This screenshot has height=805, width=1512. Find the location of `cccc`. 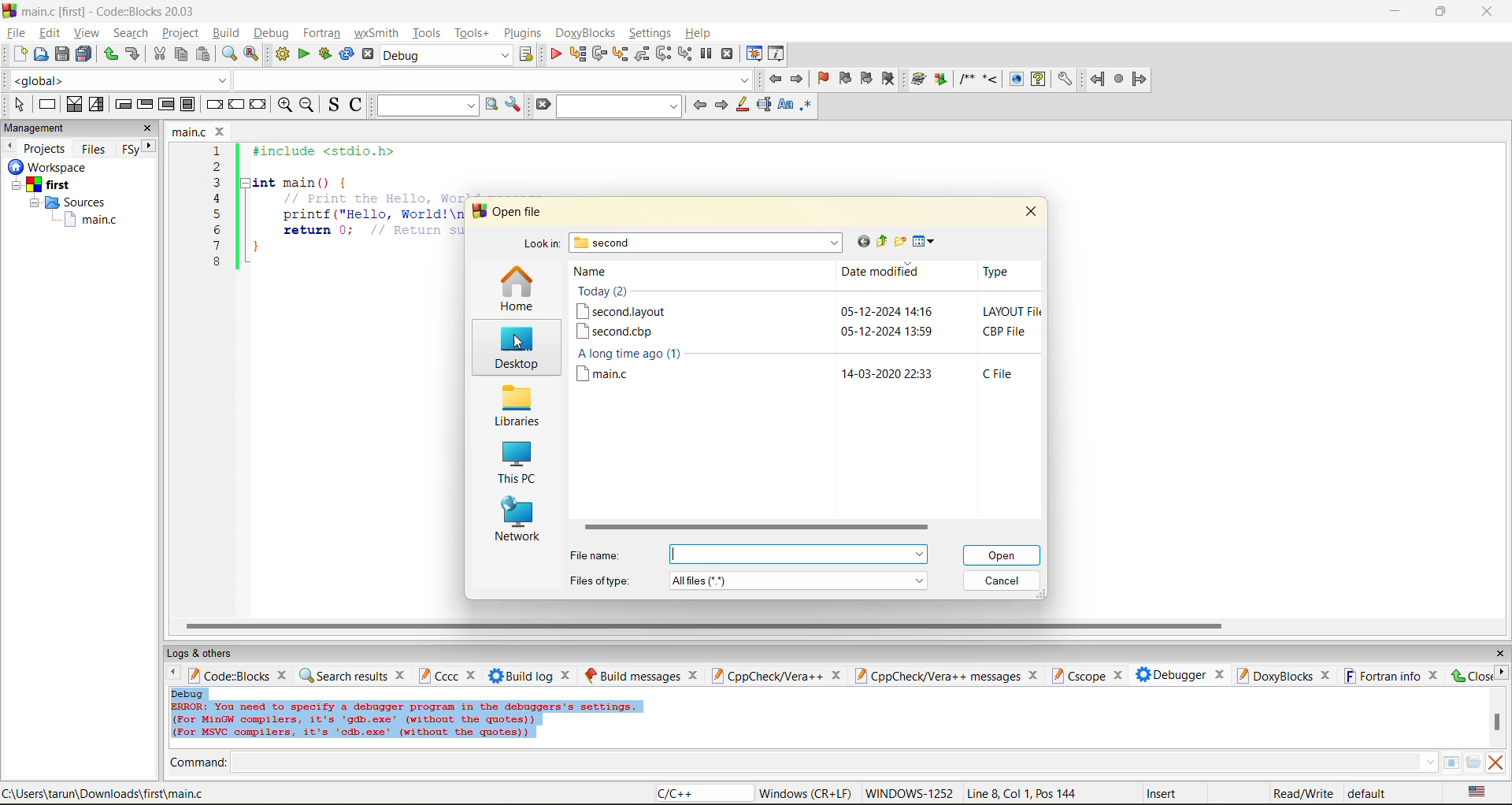

cccc is located at coordinates (438, 675).